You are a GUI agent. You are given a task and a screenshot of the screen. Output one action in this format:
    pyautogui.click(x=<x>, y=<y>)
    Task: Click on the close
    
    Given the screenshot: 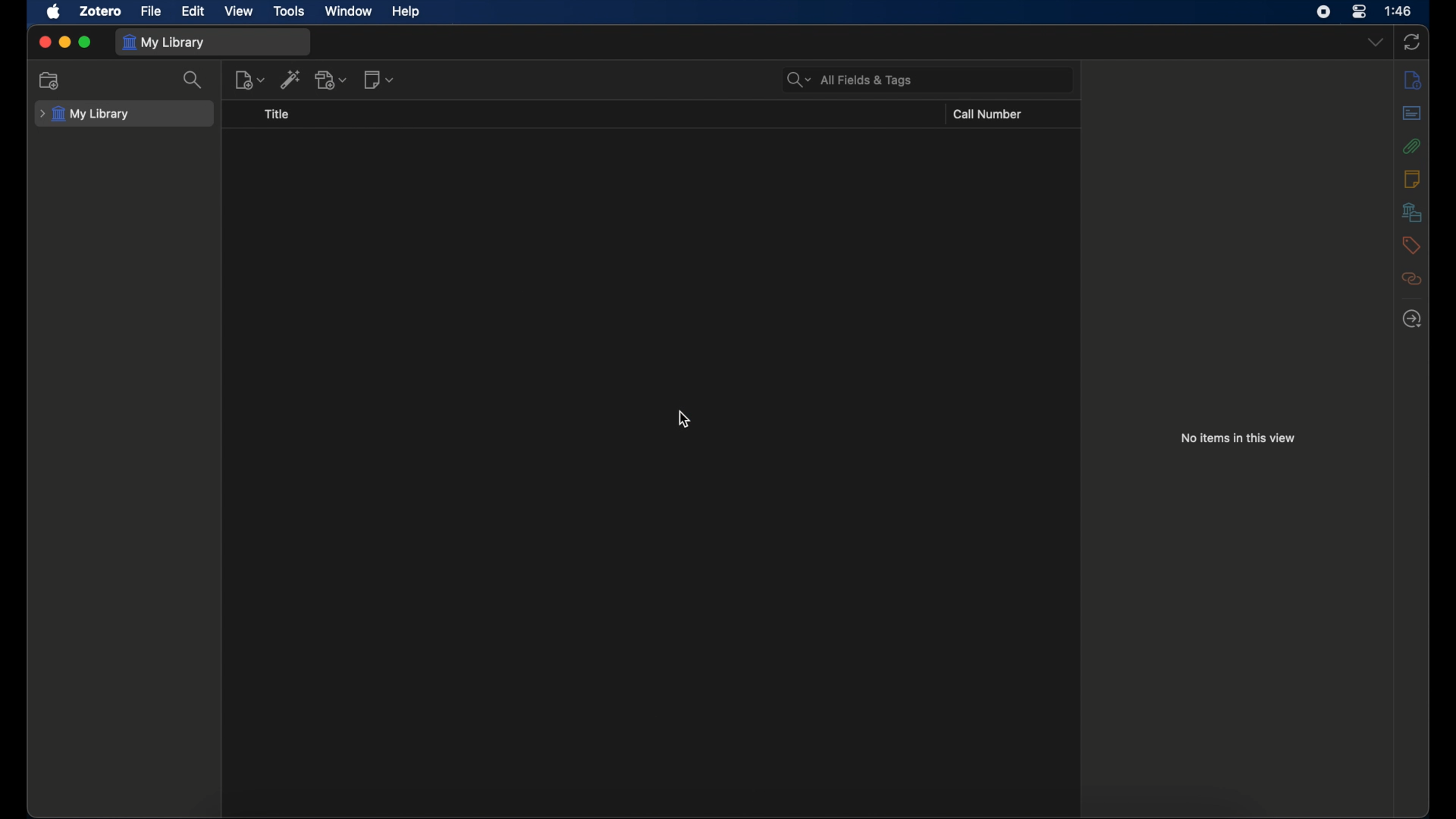 What is the action you would take?
    pyautogui.click(x=42, y=42)
    